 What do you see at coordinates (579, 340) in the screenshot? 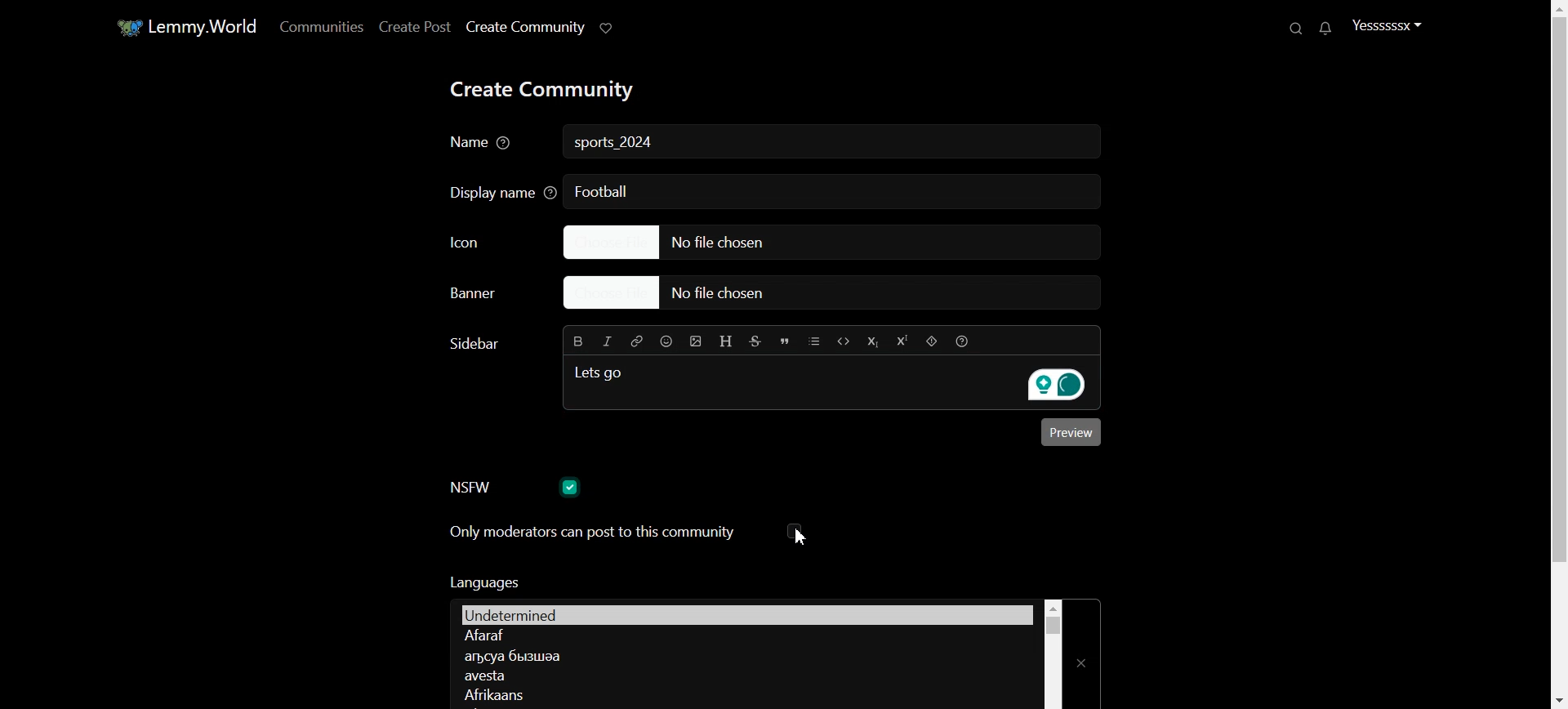
I see `Bold` at bounding box center [579, 340].